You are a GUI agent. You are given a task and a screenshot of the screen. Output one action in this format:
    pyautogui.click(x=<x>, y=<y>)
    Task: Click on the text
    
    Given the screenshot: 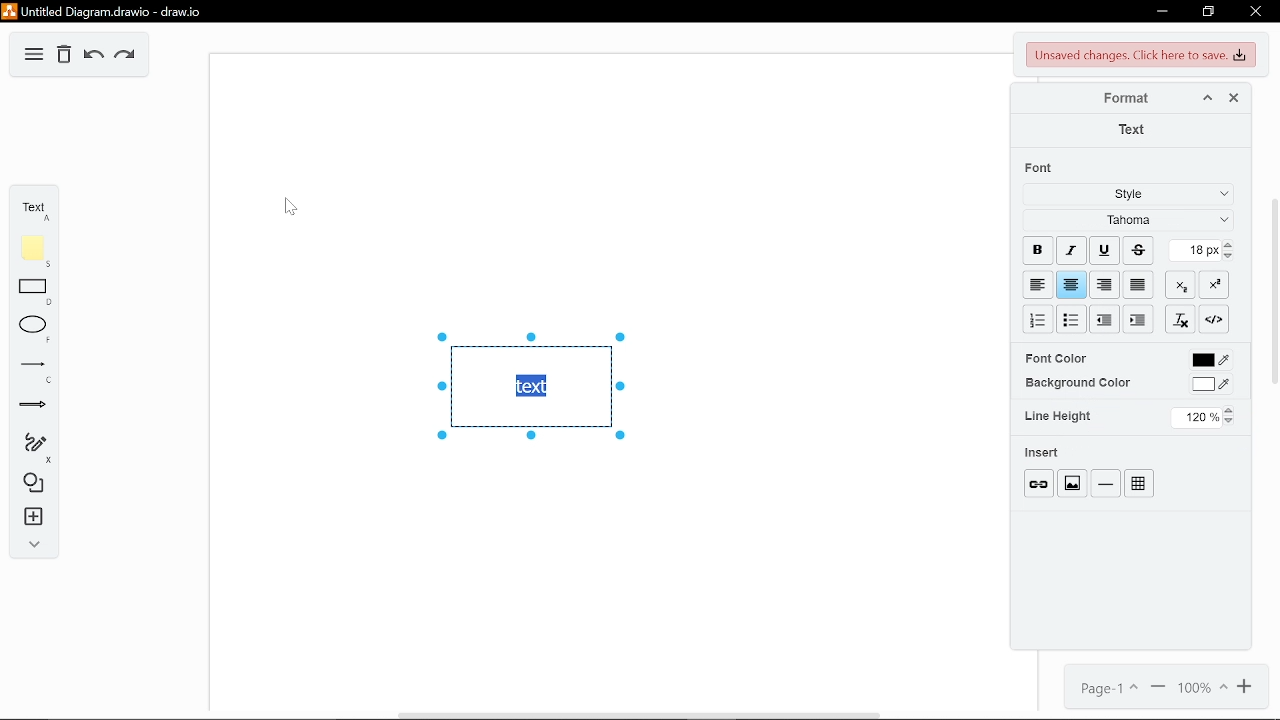 What is the action you would take?
    pyautogui.click(x=32, y=207)
    